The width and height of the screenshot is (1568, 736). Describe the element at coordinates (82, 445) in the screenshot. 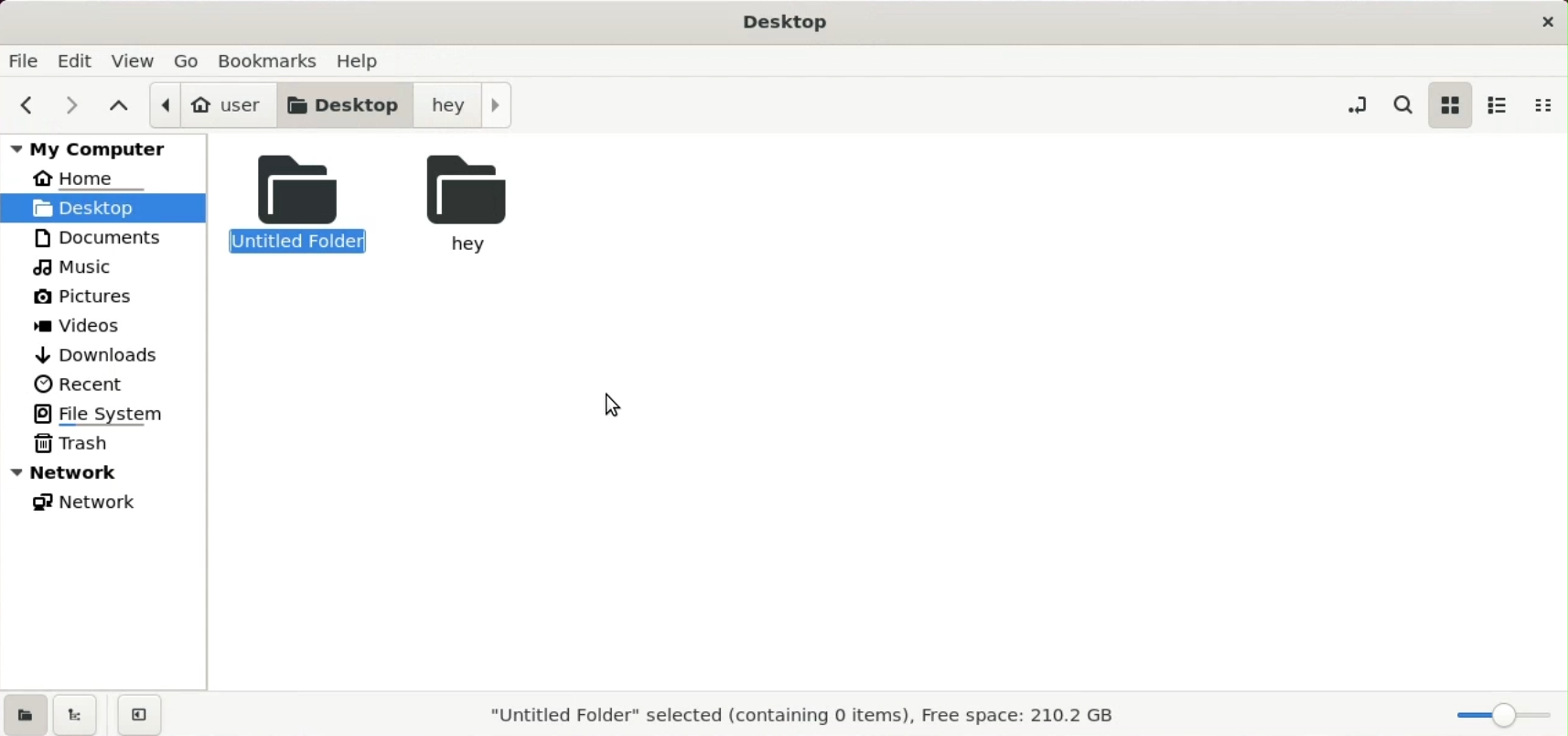

I see `trash` at that location.